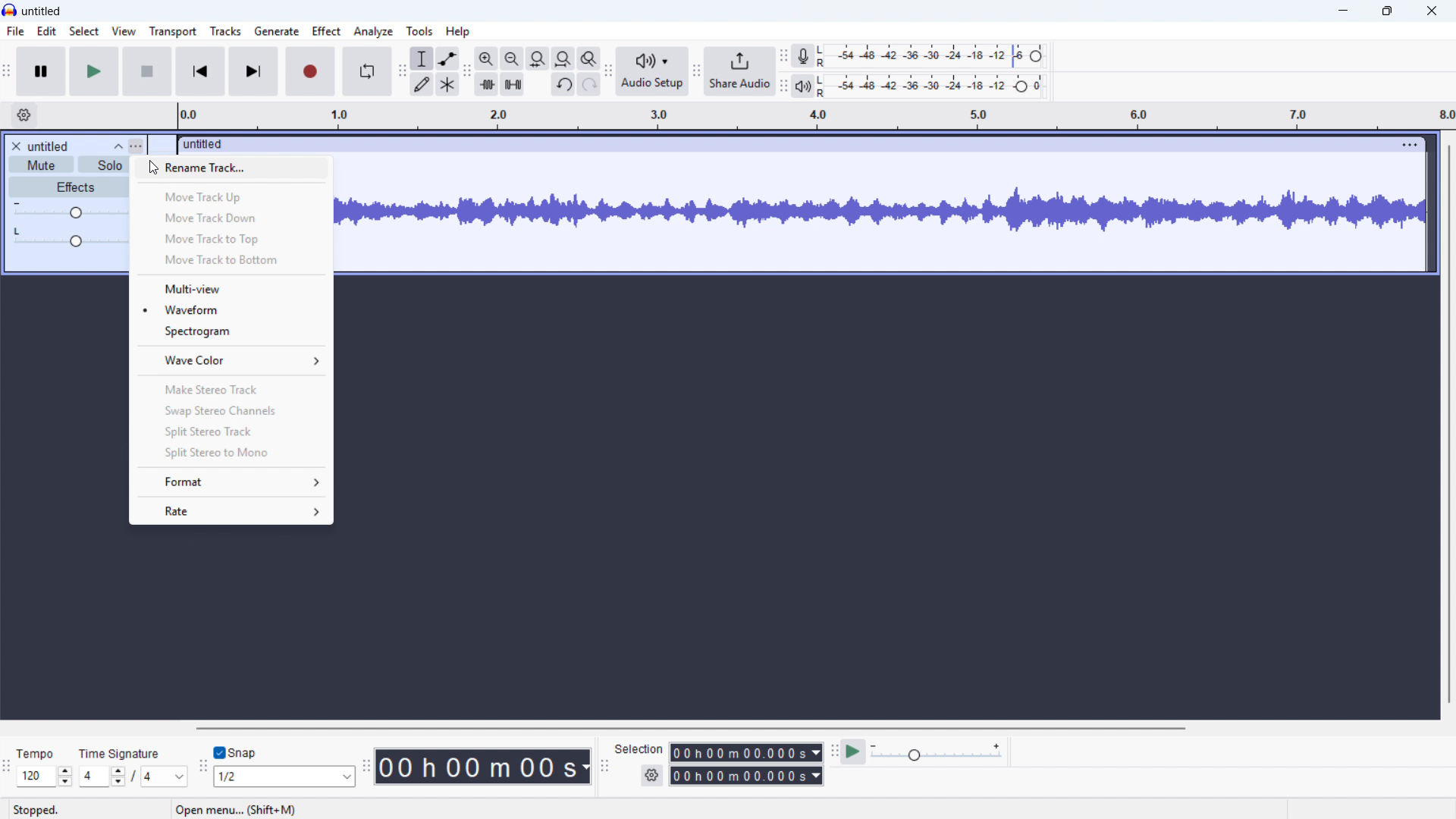 The height and width of the screenshot is (819, 1456). I want to click on Move track up , so click(231, 196).